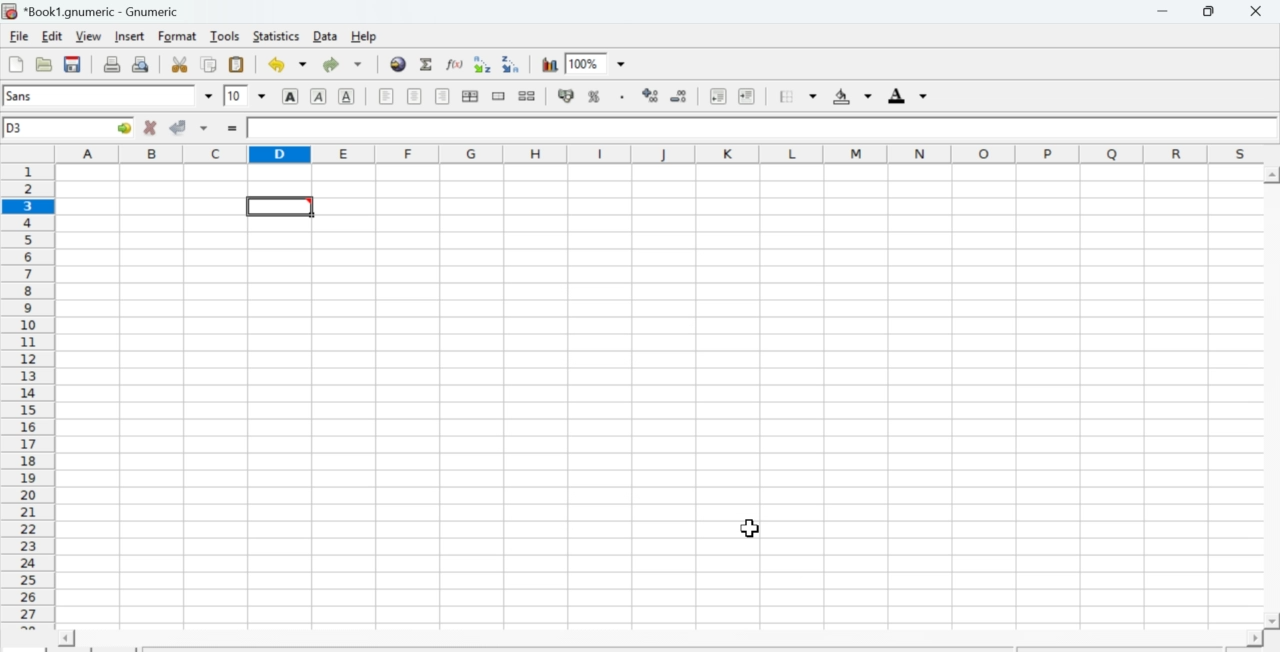 Image resolution: width=1280 pixels, height=652 pixels. What do you see at coordinates (64, 638) in the screenshot?
I see `scroll left` at bounding box center [64, 638].